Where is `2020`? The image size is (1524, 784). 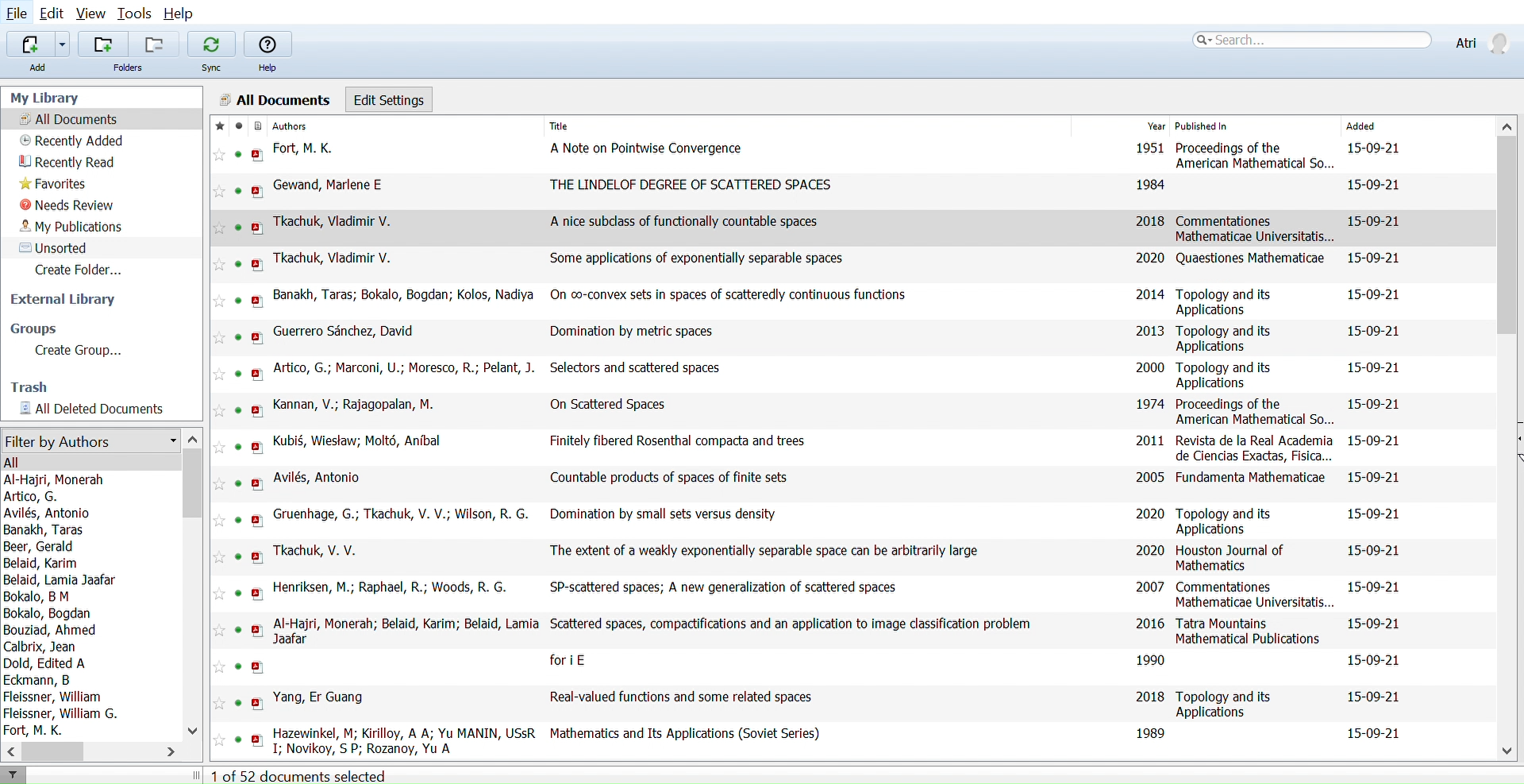
2020 is located at coordinates (1148, 516).